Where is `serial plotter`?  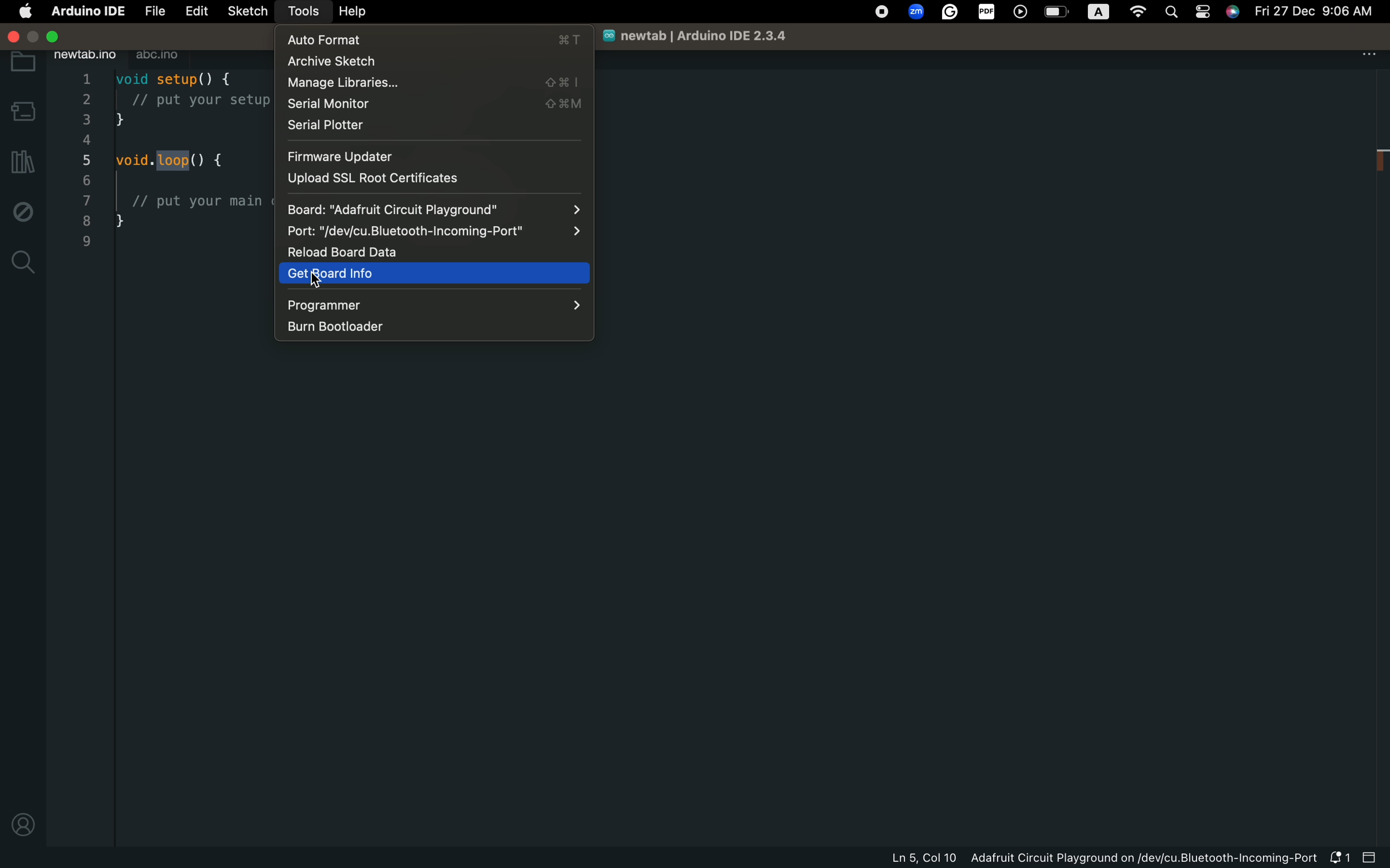
serial plotter is located at coordinates (377, 127).